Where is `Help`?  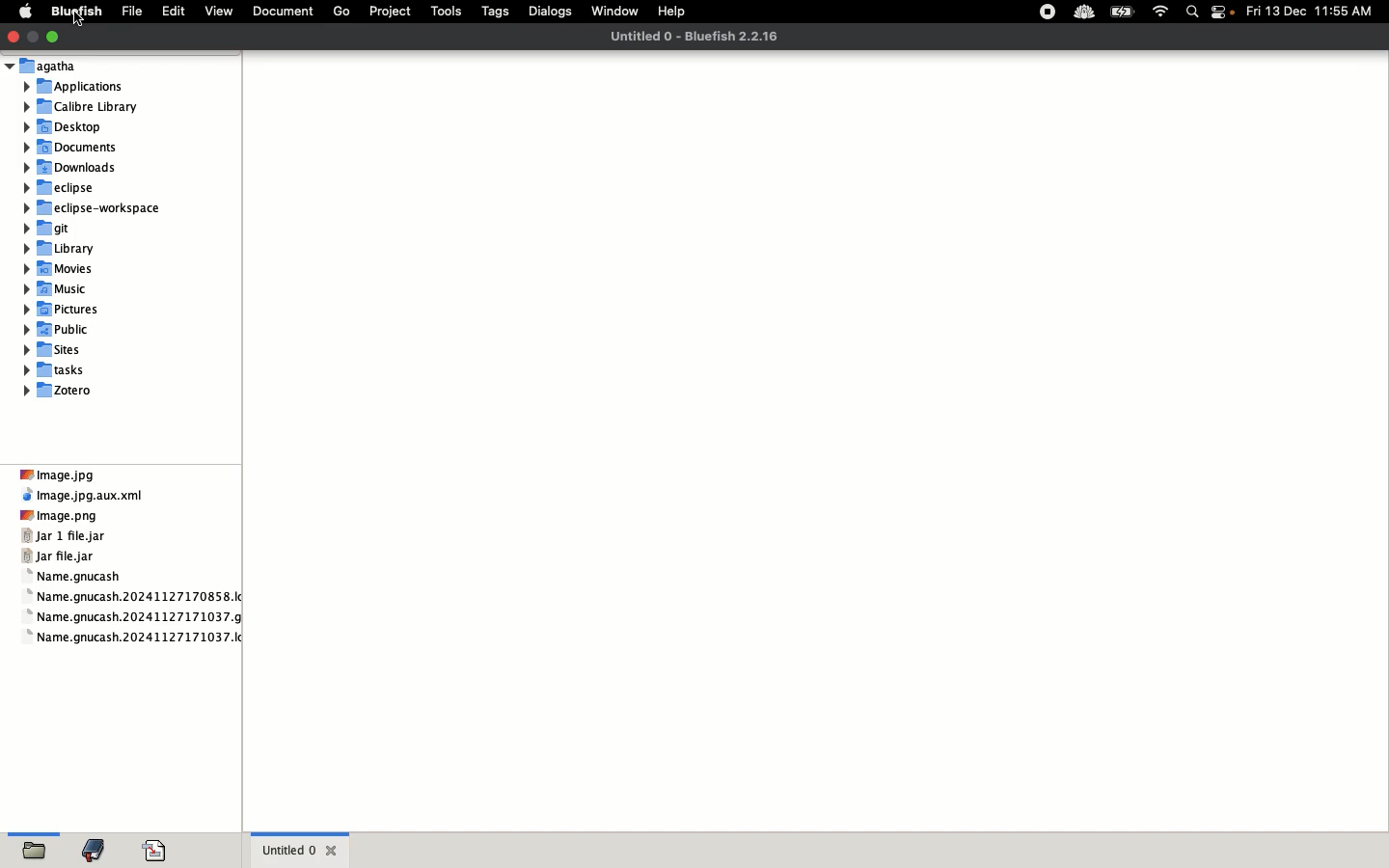 Help is located at coordinates (678, 12).